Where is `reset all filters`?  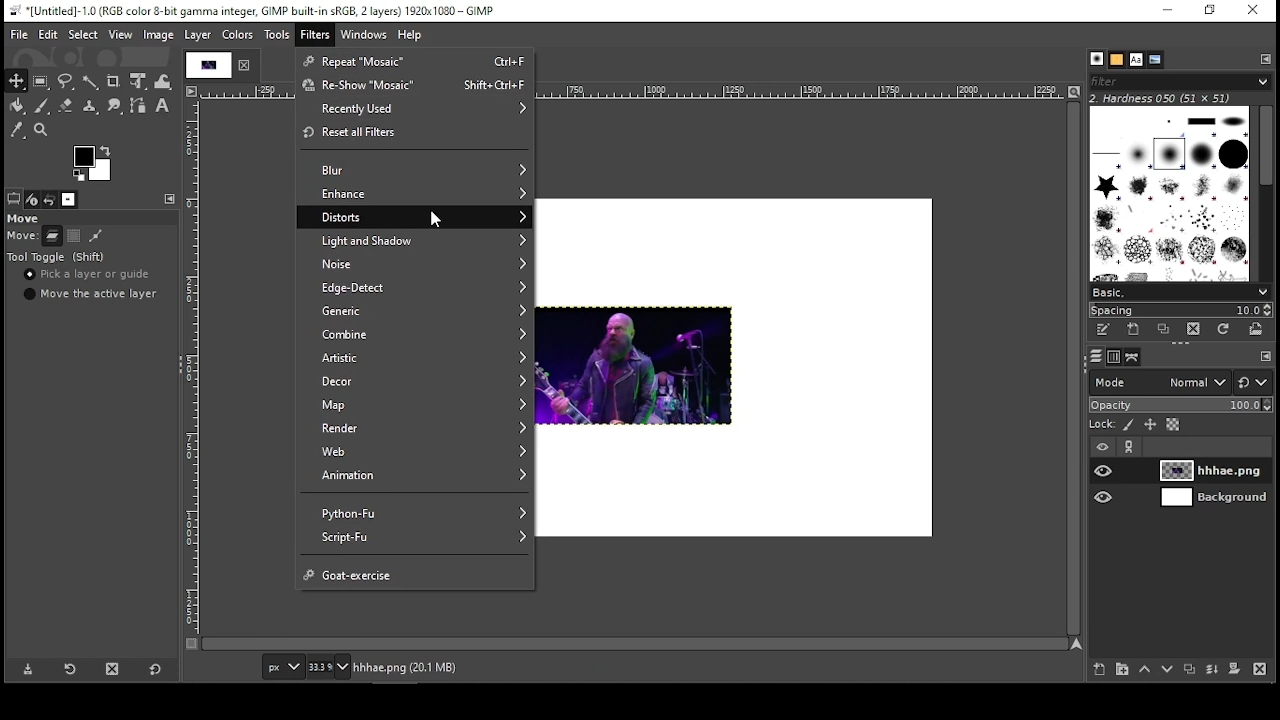 reset all filters is located at coordinates (413, 133).